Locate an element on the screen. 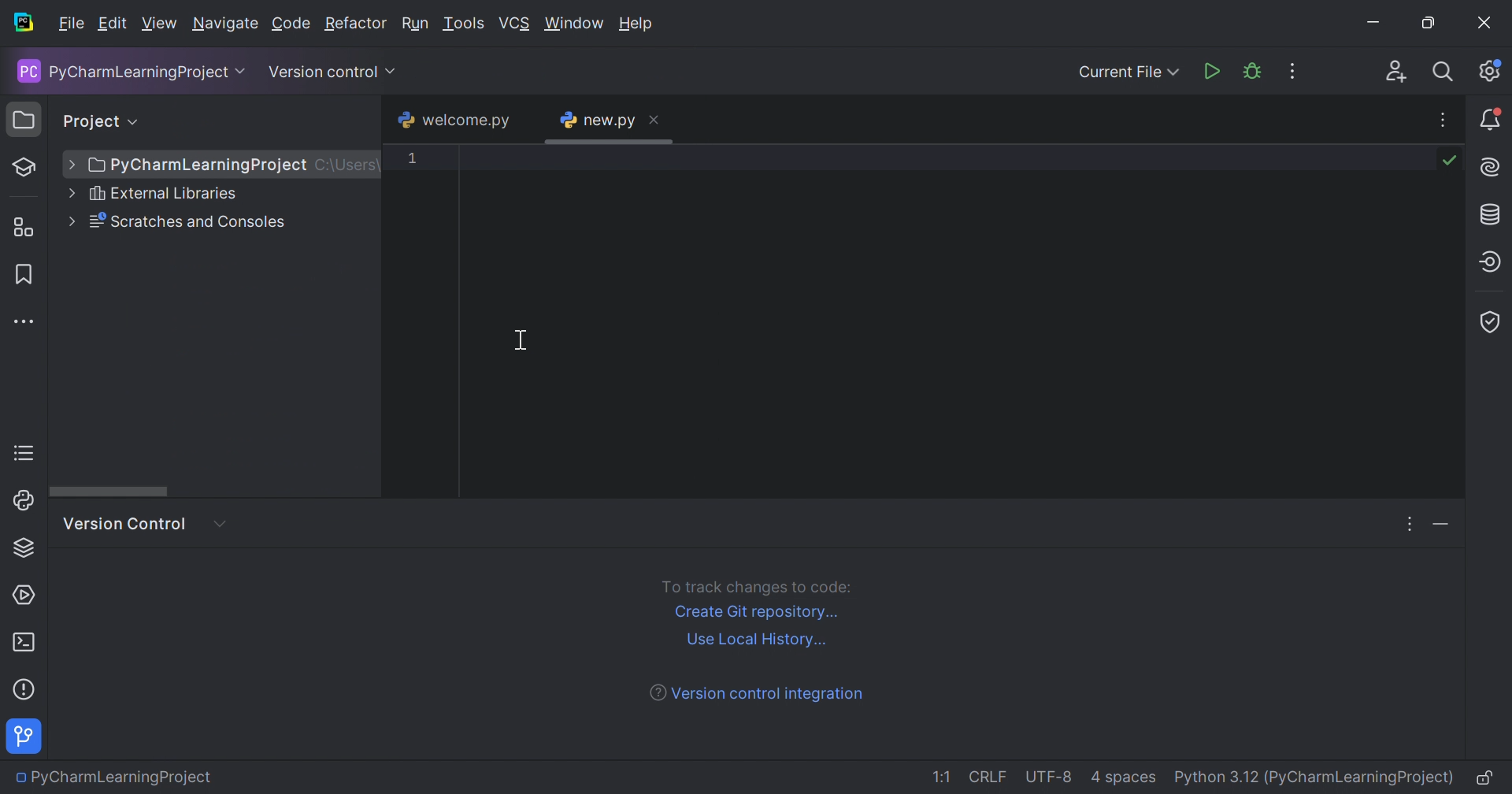  Updates available. IDE and project settings is located at coordinates (1492, 70).